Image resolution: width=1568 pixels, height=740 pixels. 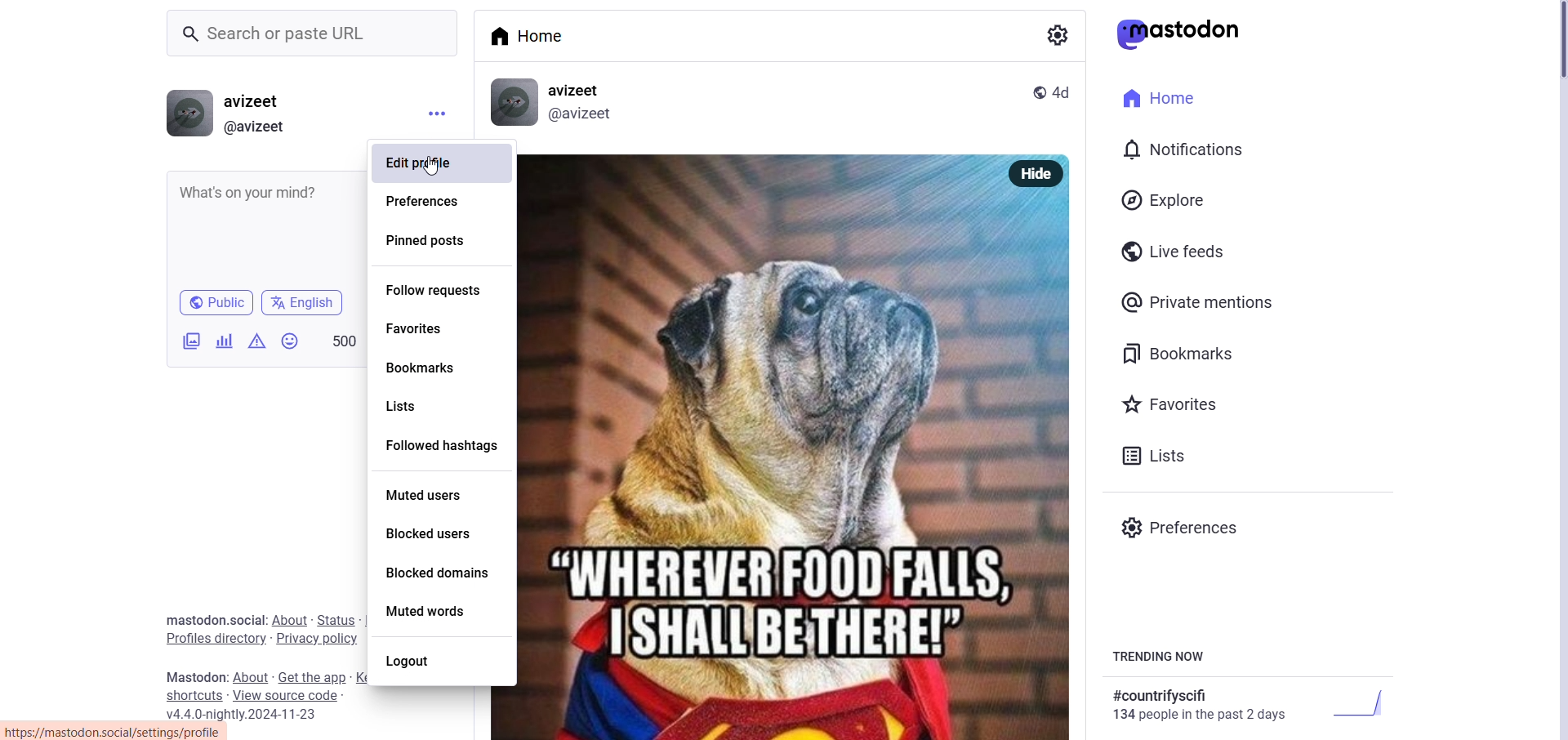 What do you see at coordinates (1181, 34) in the screenshot?
I see `mastodon` at bounding box center [1181, 34].